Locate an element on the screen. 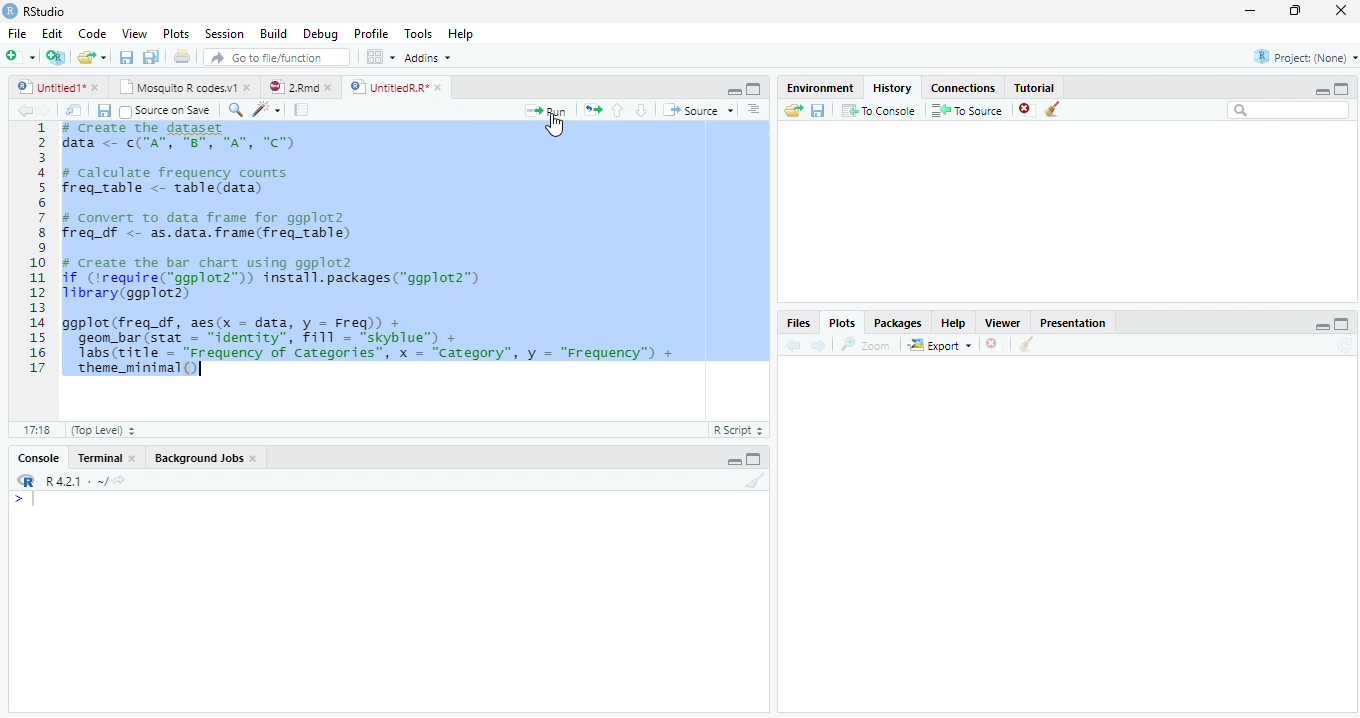 Image resolution: width=1360 pixels, height=718 pixels. 1.1 is located at coordinates (32, 429).